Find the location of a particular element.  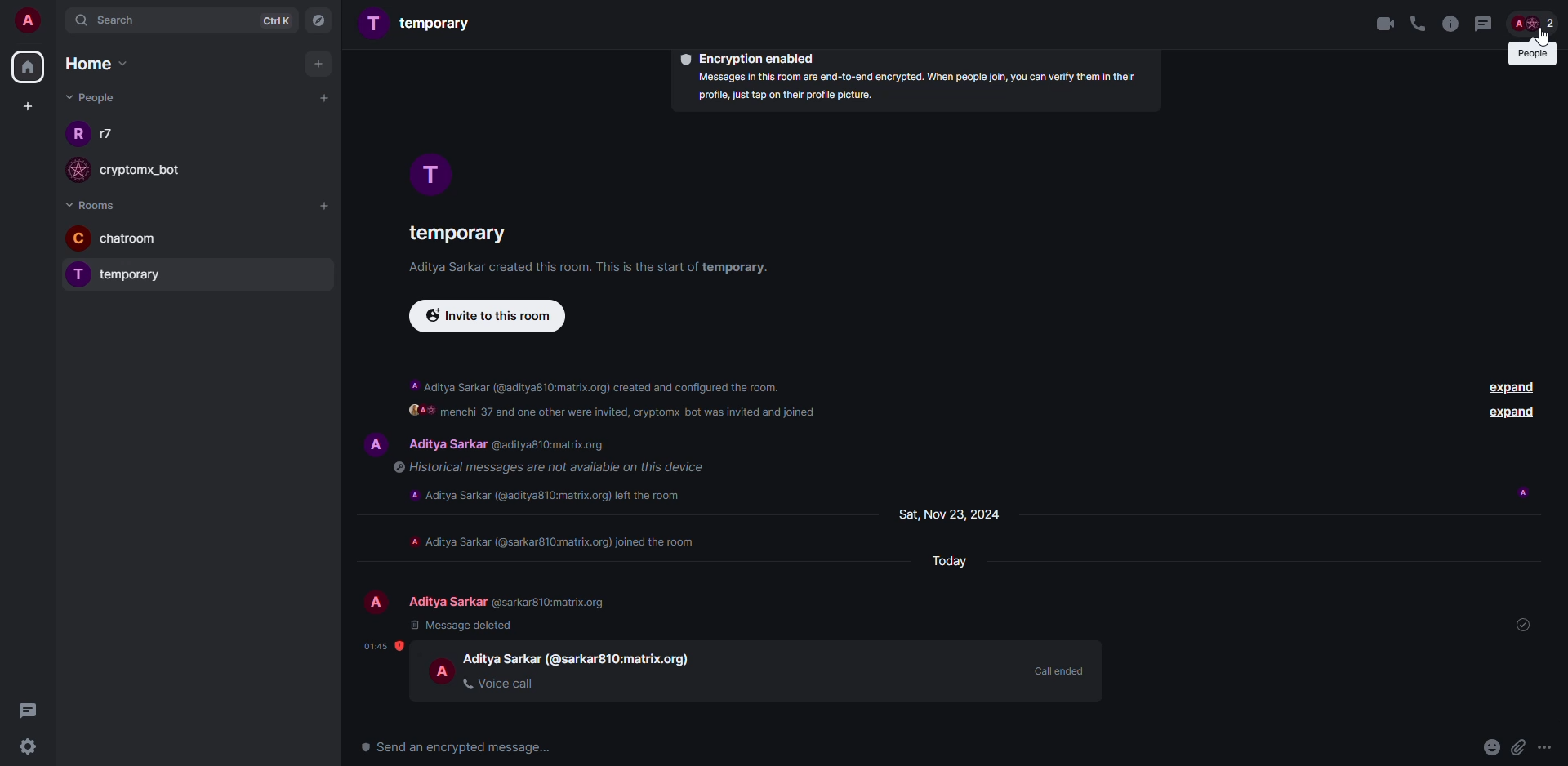

info is located at coordinates (921, 88).